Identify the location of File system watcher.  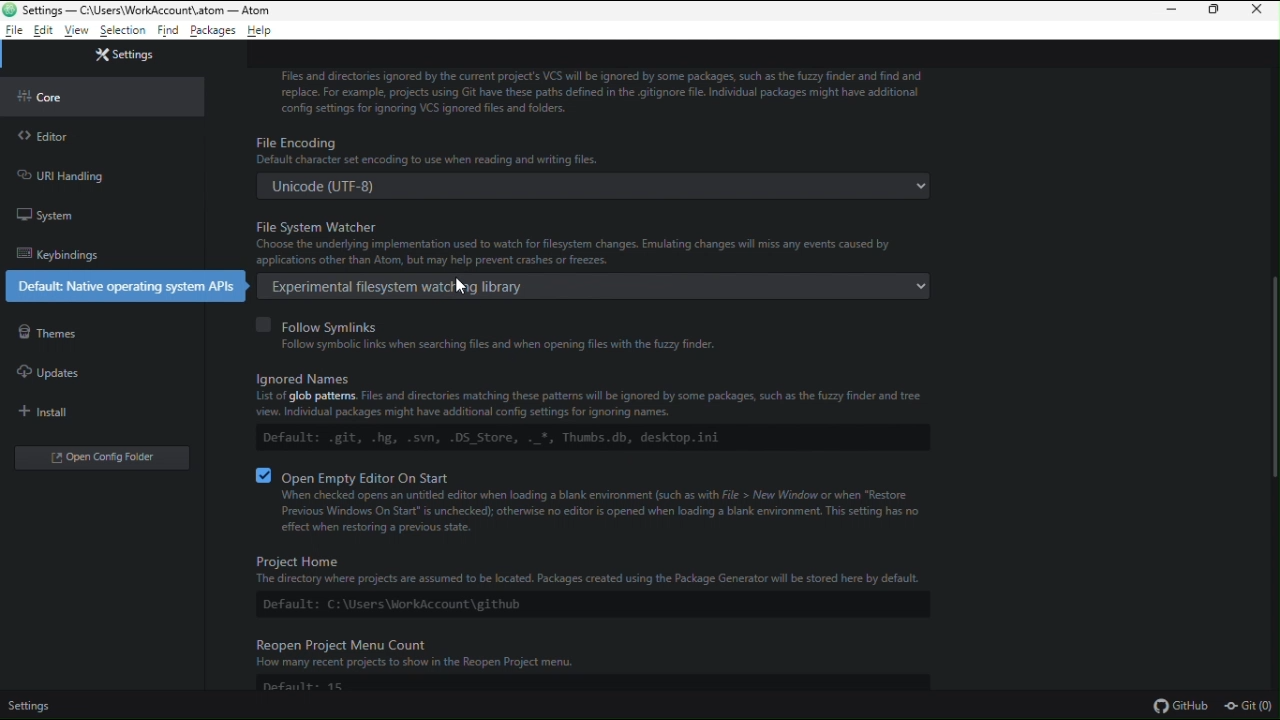
(590, 245).